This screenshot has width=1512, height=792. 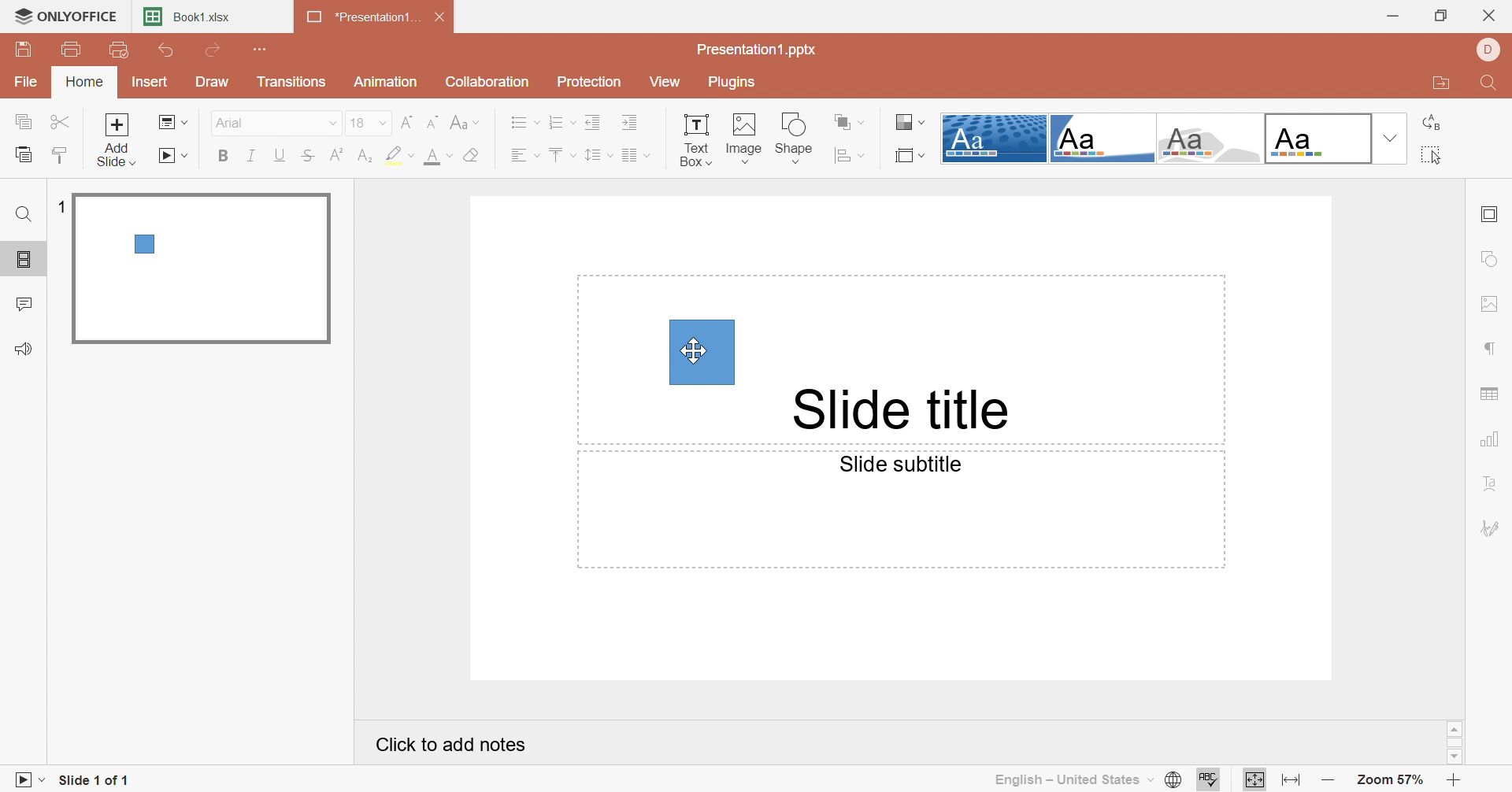 What do you see at coordinates (1173, 779) in the screenshot?
I see `Set document language` at bounding box center [1173, 779].